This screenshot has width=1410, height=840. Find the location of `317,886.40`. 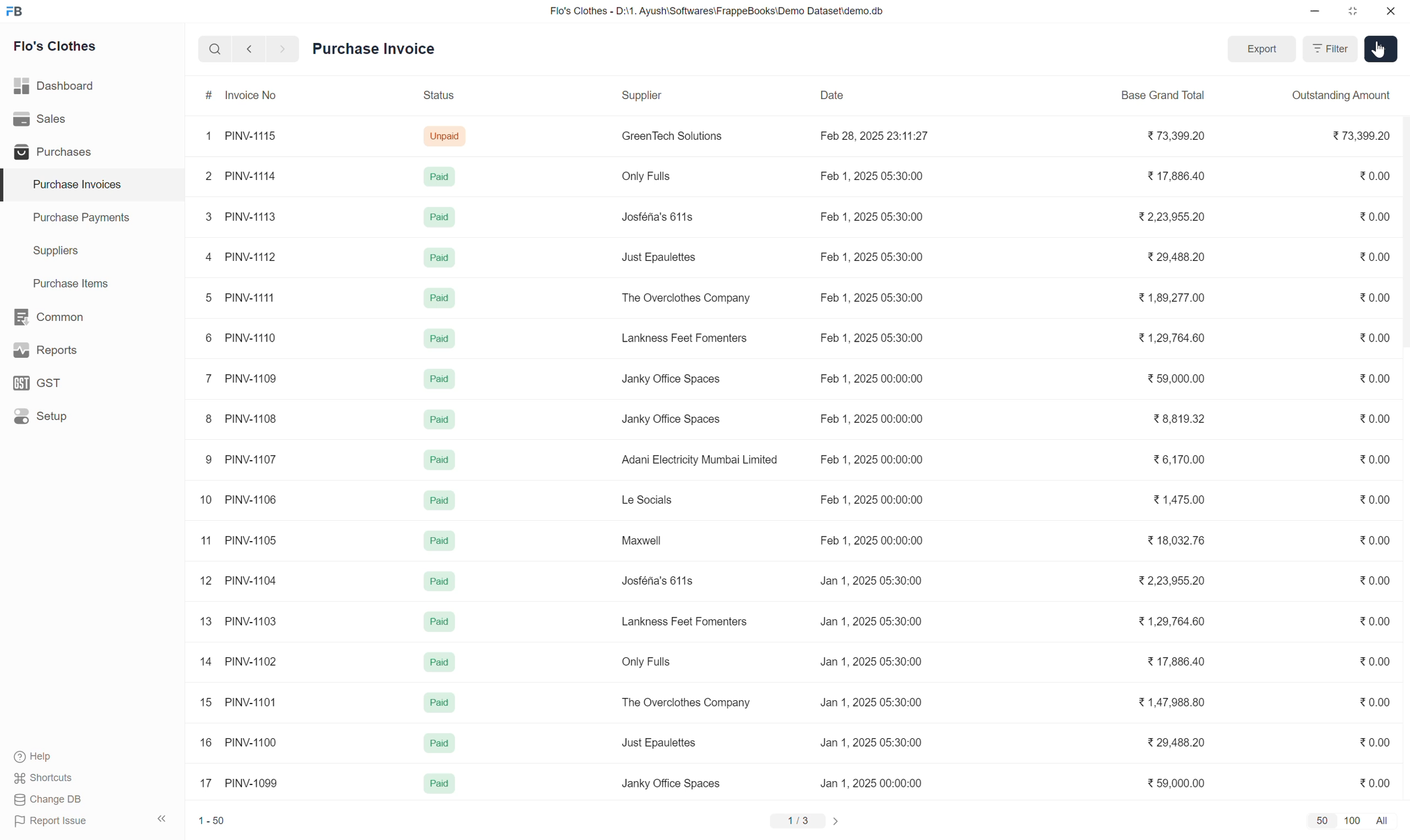

317,886.40 is located at coordinates (1183, 661).